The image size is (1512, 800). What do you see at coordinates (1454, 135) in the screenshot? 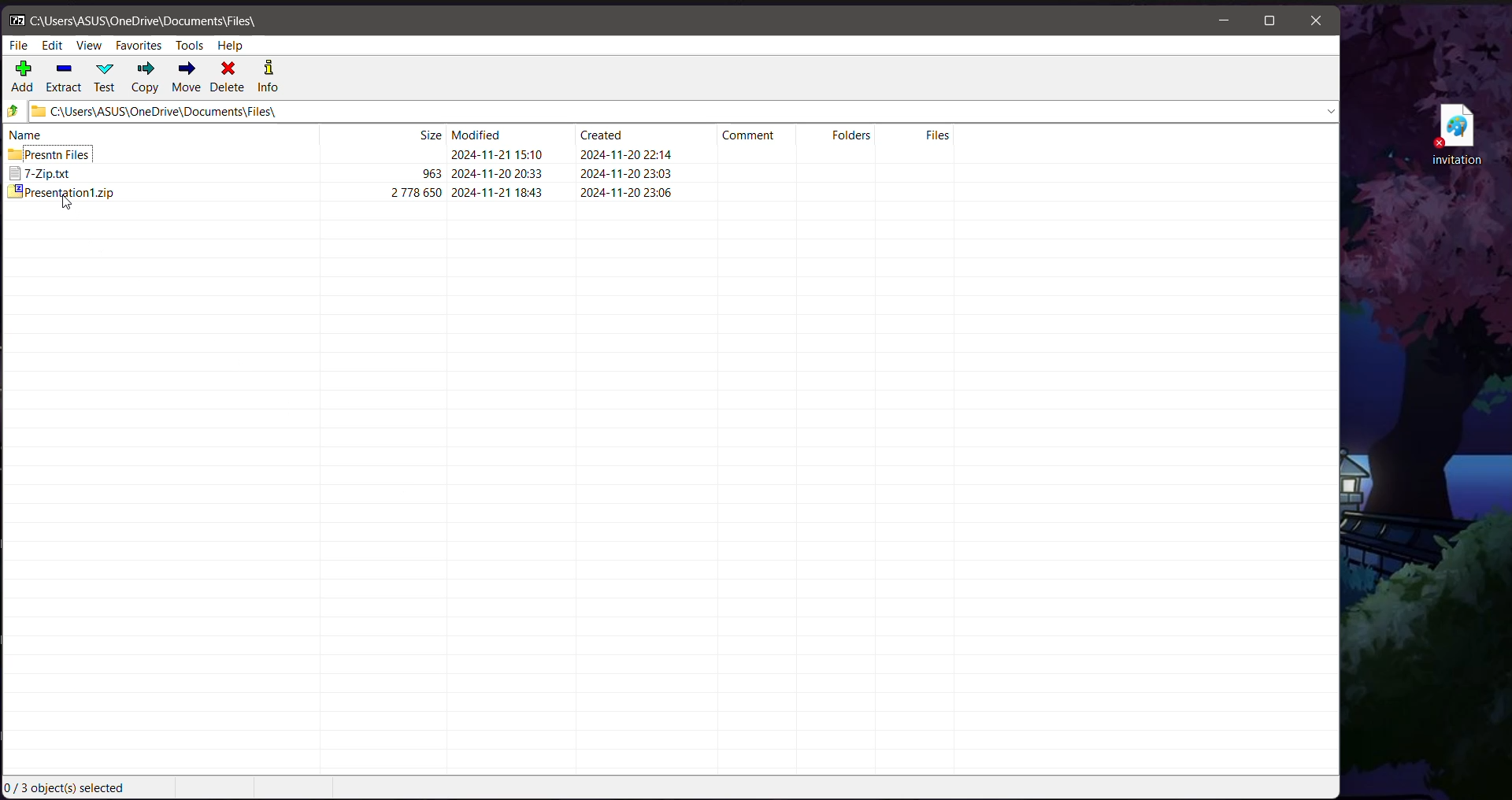
I see `File on Desktop` at bounding box center [1454, 135].